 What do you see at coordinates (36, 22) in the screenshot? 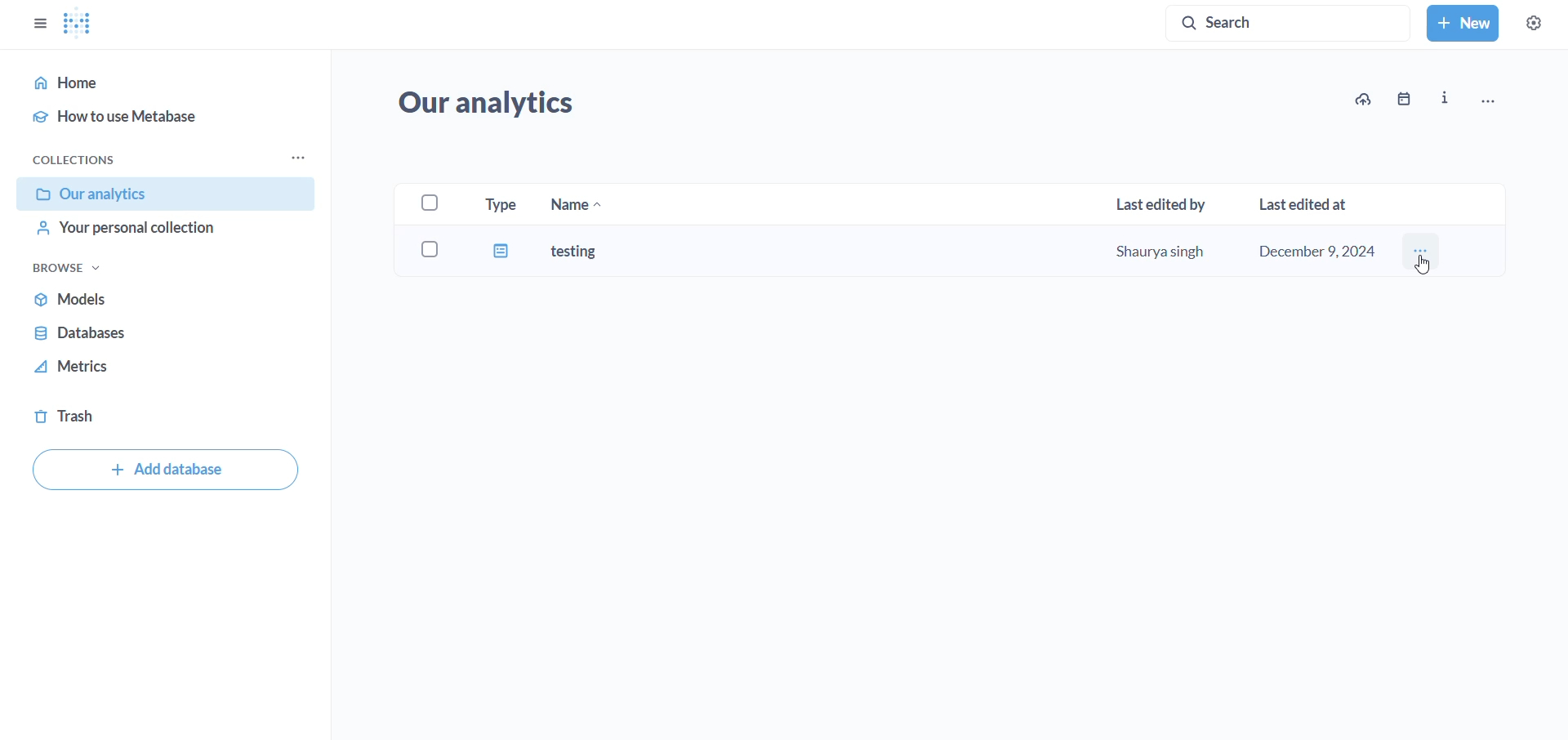
I see `show/hide sidebar` at bounding box center [36, 22].